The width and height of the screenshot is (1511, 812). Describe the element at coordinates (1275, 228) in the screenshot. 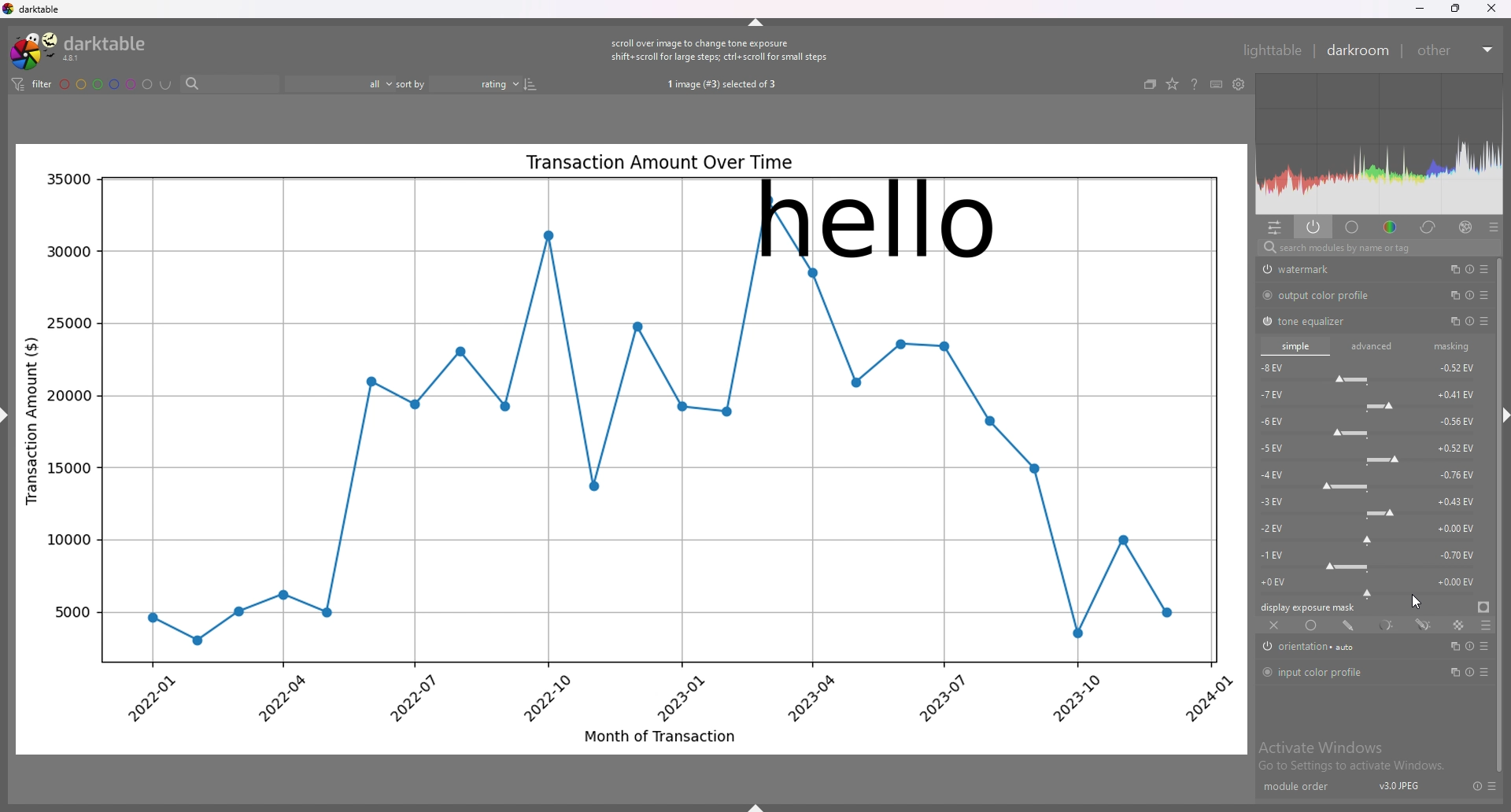

I see `quick access panel` at that location.